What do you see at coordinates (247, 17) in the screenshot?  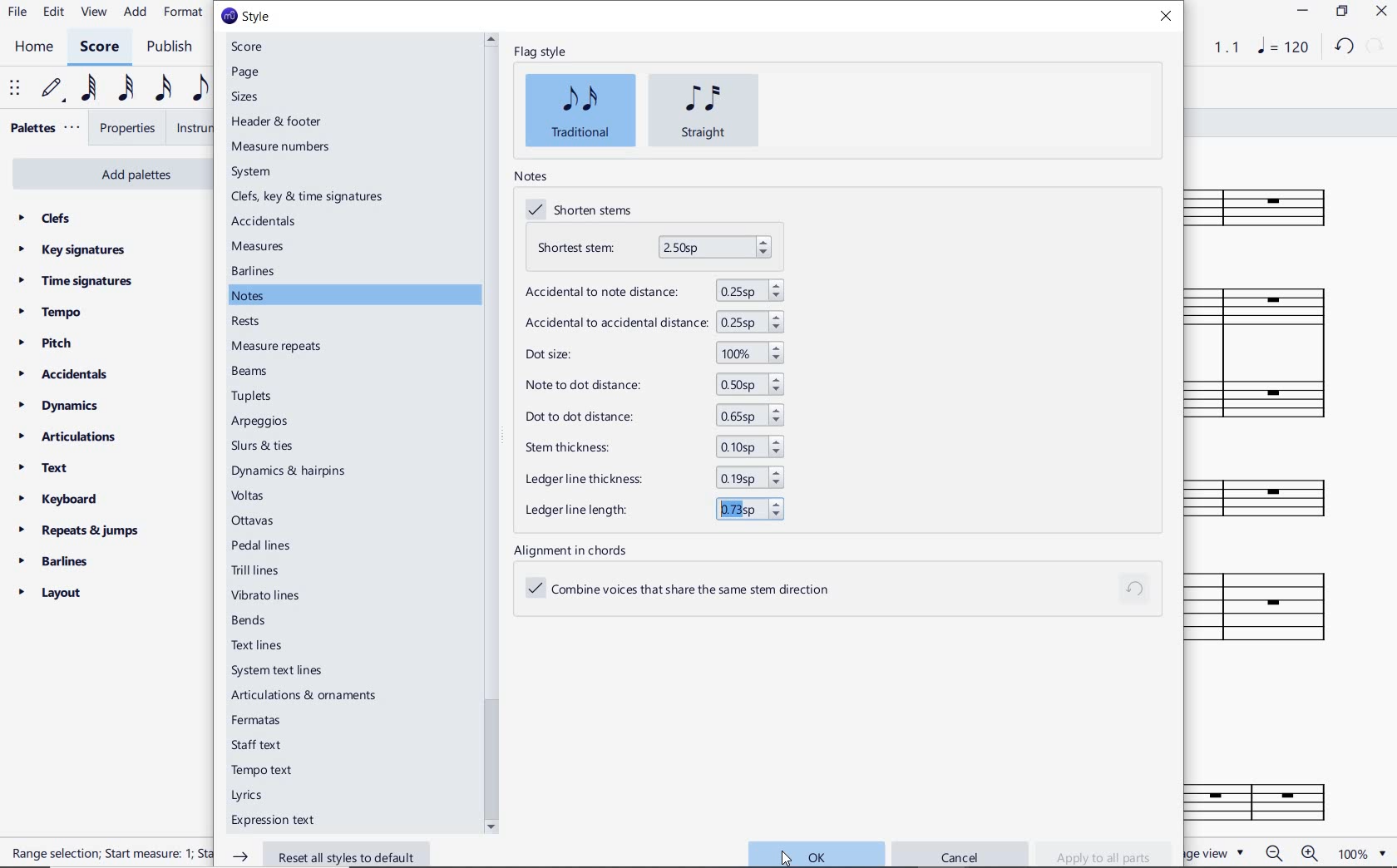 I see `style` at bounding box center [247, 17].